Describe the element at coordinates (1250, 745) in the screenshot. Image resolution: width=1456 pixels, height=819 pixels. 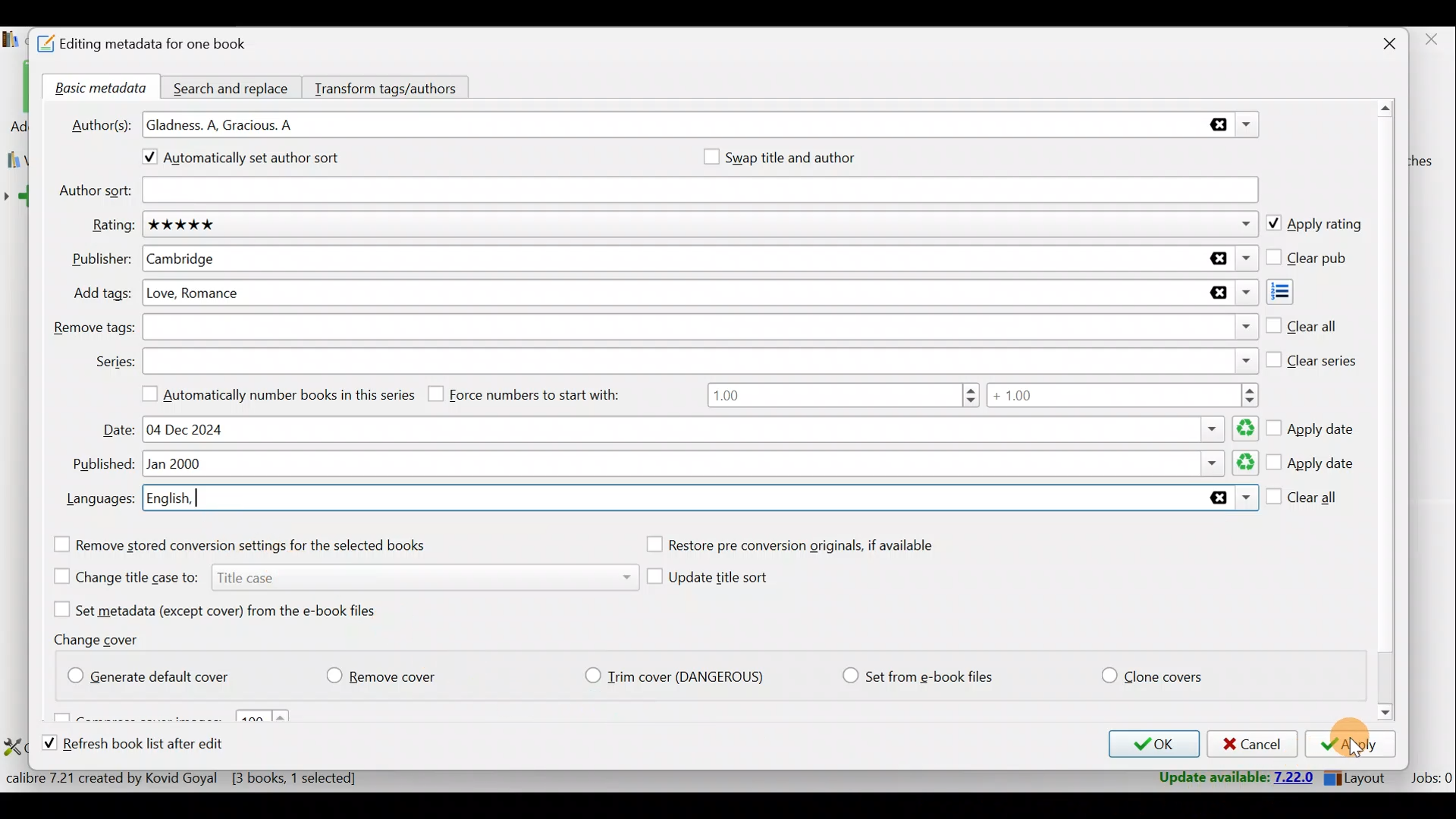
I see `Cancel` at that location.